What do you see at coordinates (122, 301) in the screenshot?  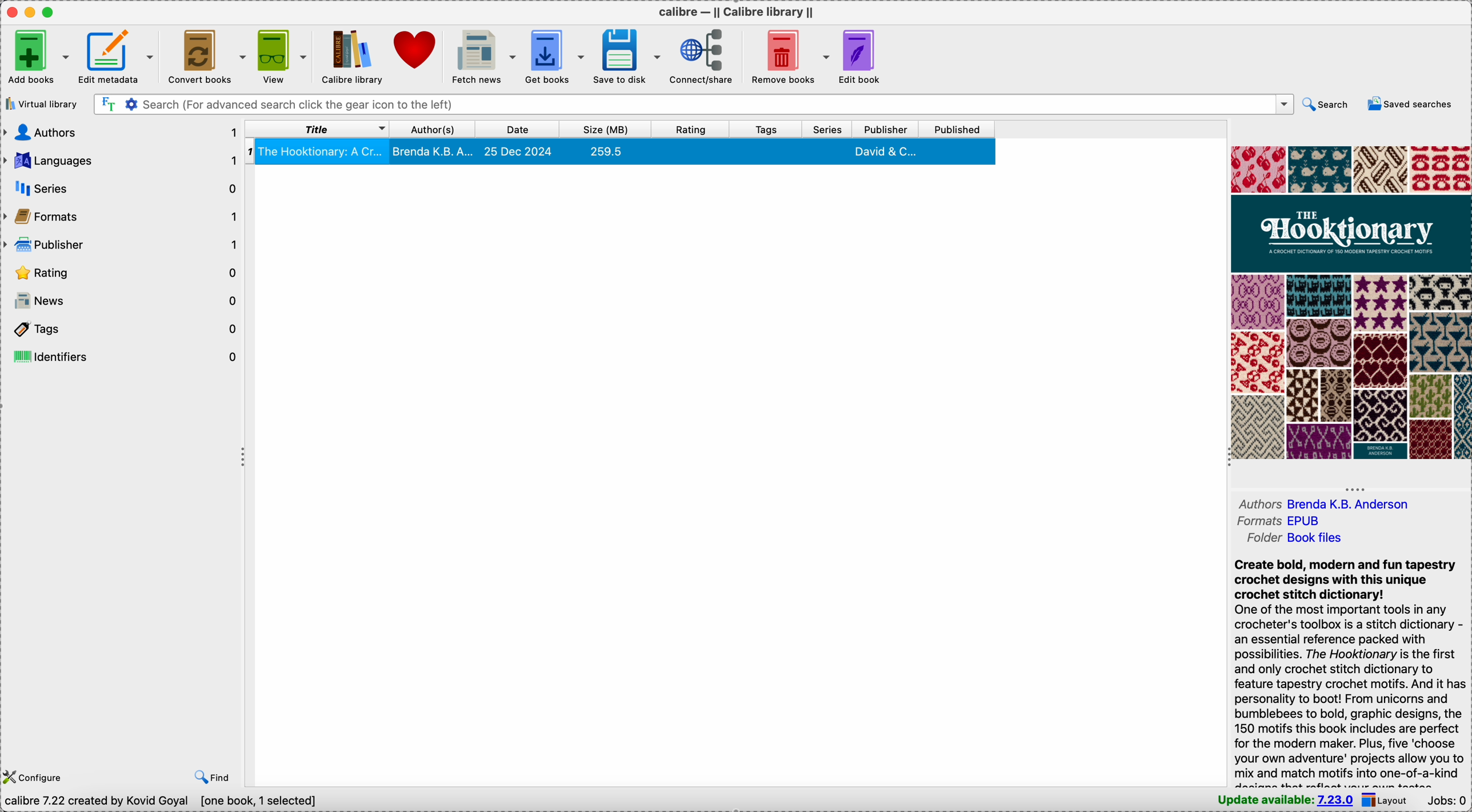 I see `news` at bounding box center [122, 301].